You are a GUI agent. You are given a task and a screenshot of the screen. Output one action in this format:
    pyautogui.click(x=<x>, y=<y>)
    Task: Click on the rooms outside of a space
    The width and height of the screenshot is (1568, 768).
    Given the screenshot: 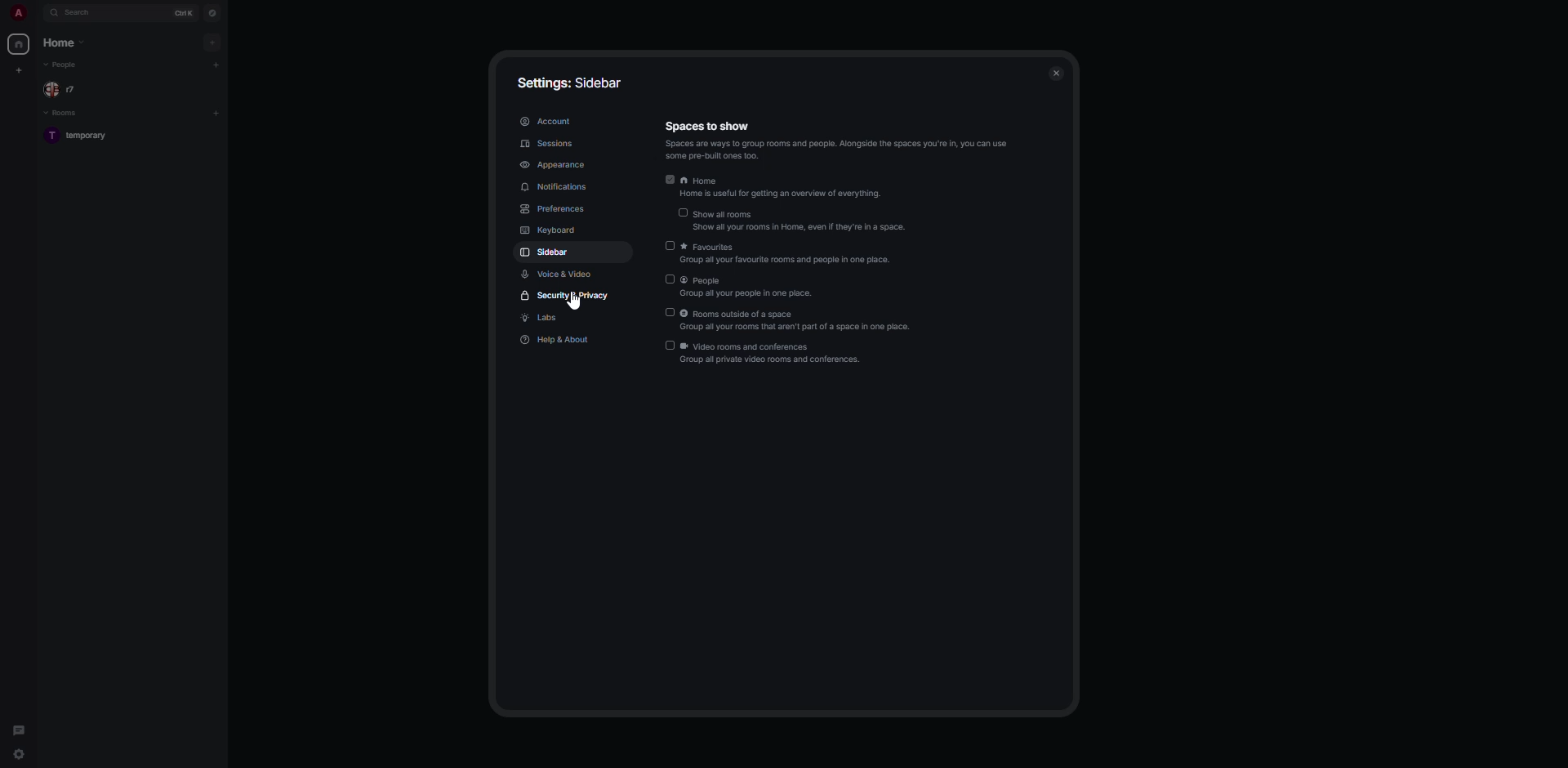 What is the action you would take?
    pyautogui.click(x=786, y=319)
    